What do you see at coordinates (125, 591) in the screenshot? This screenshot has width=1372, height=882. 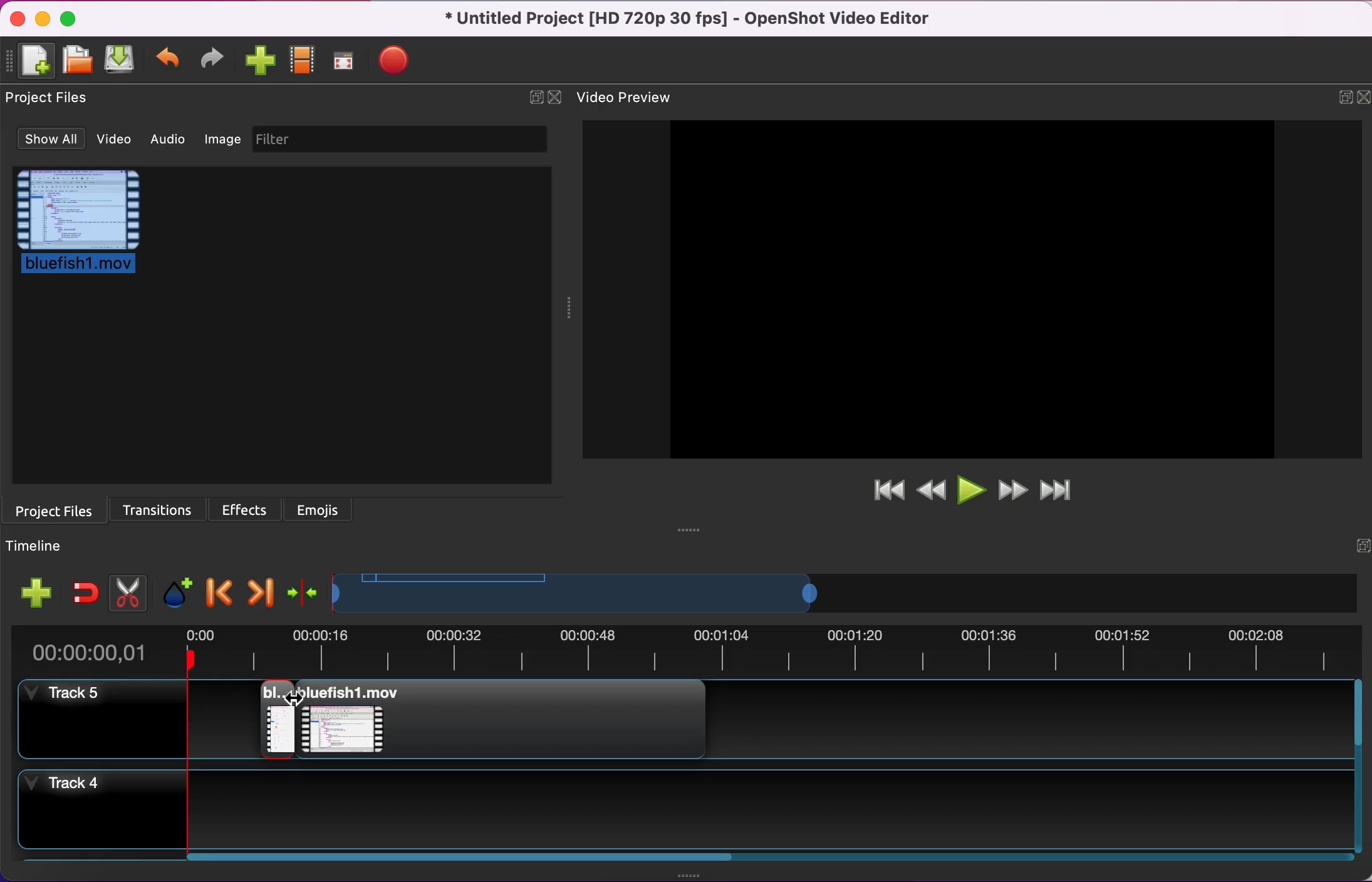 I see `cut` at bounding box center [125, 591].